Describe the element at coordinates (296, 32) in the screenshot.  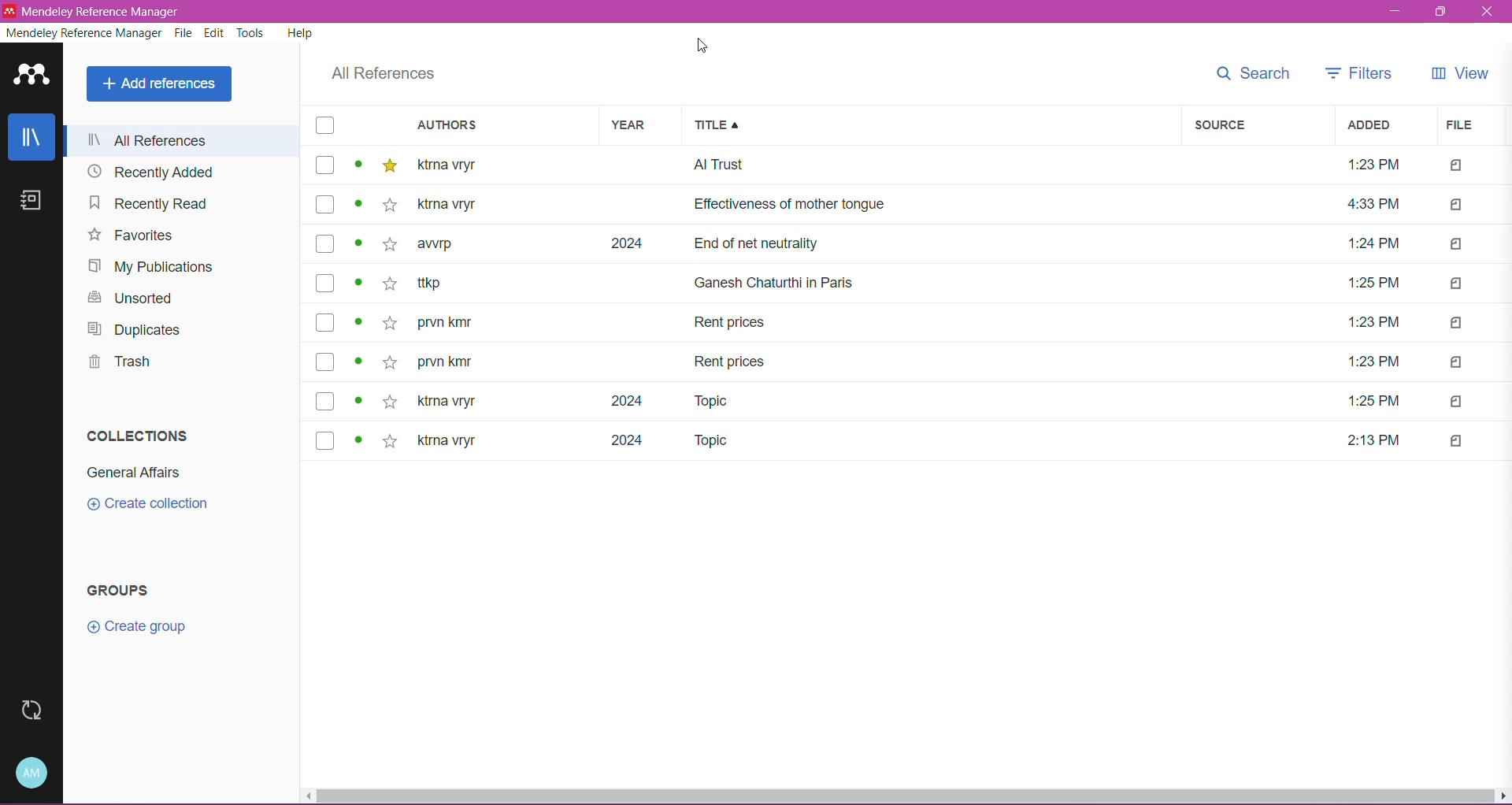
I see `Help` at that location.